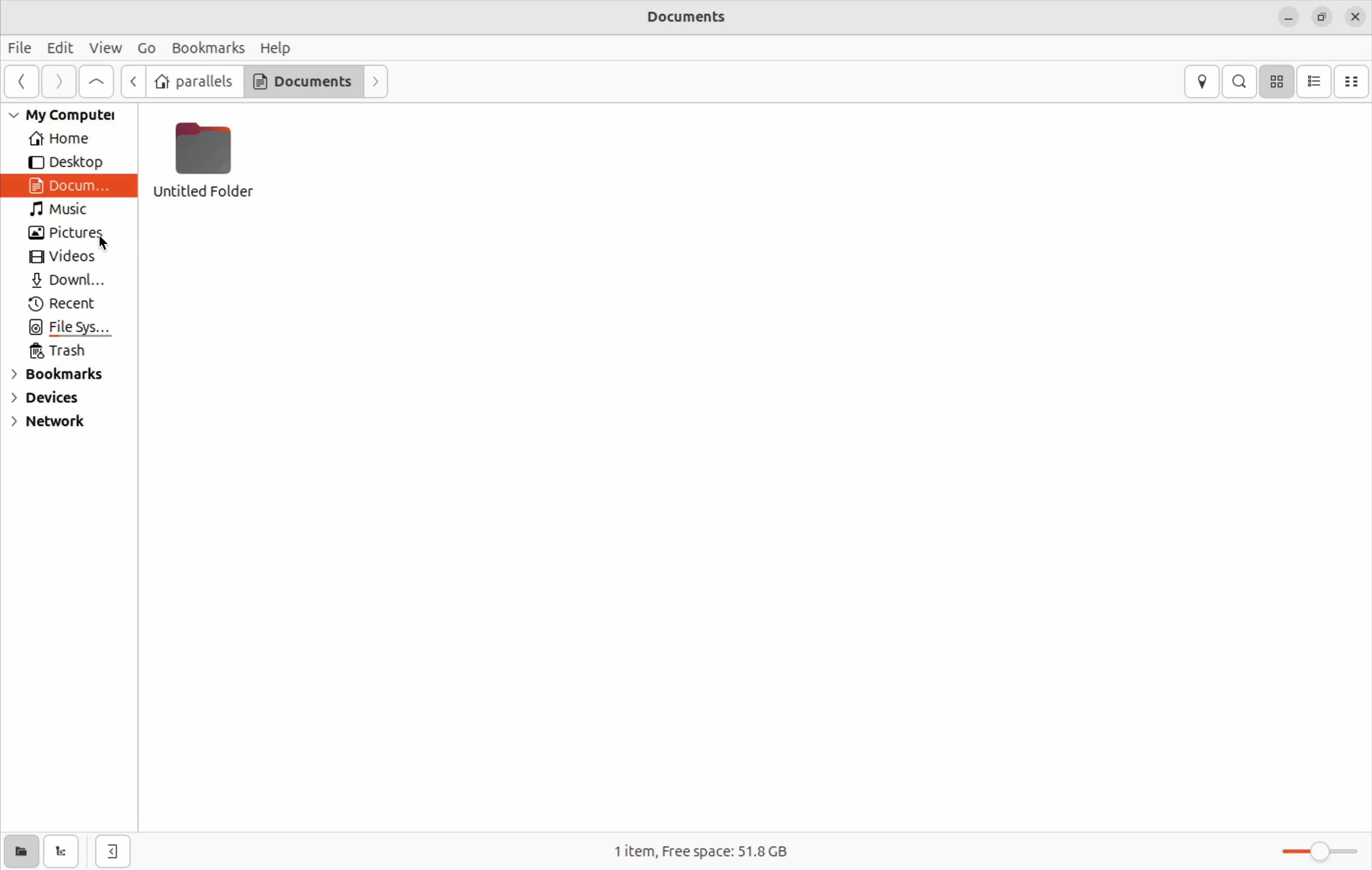 This screenshot has width=1372, height=870. Describe the element at coordinates (62, 46) in the screenshot. I see `Edit` at that location.